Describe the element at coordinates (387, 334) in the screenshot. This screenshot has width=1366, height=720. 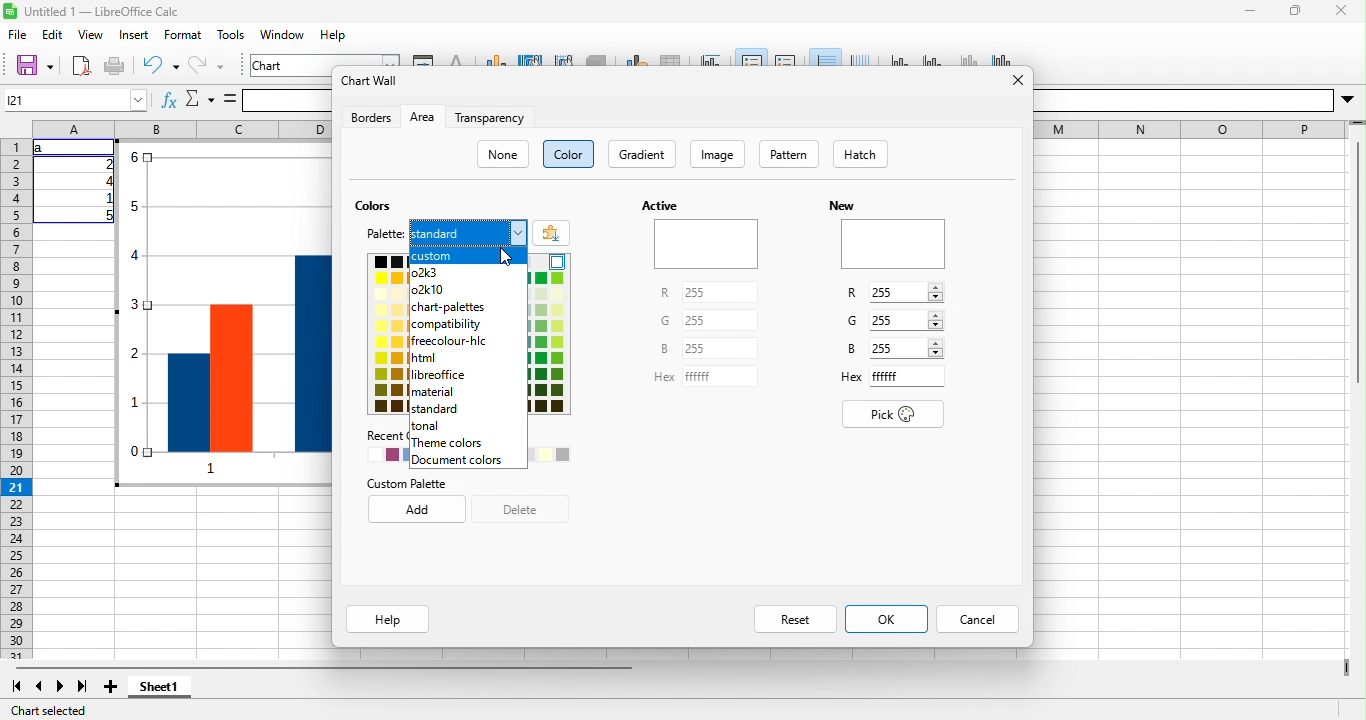
I see `color pallete` at that location.